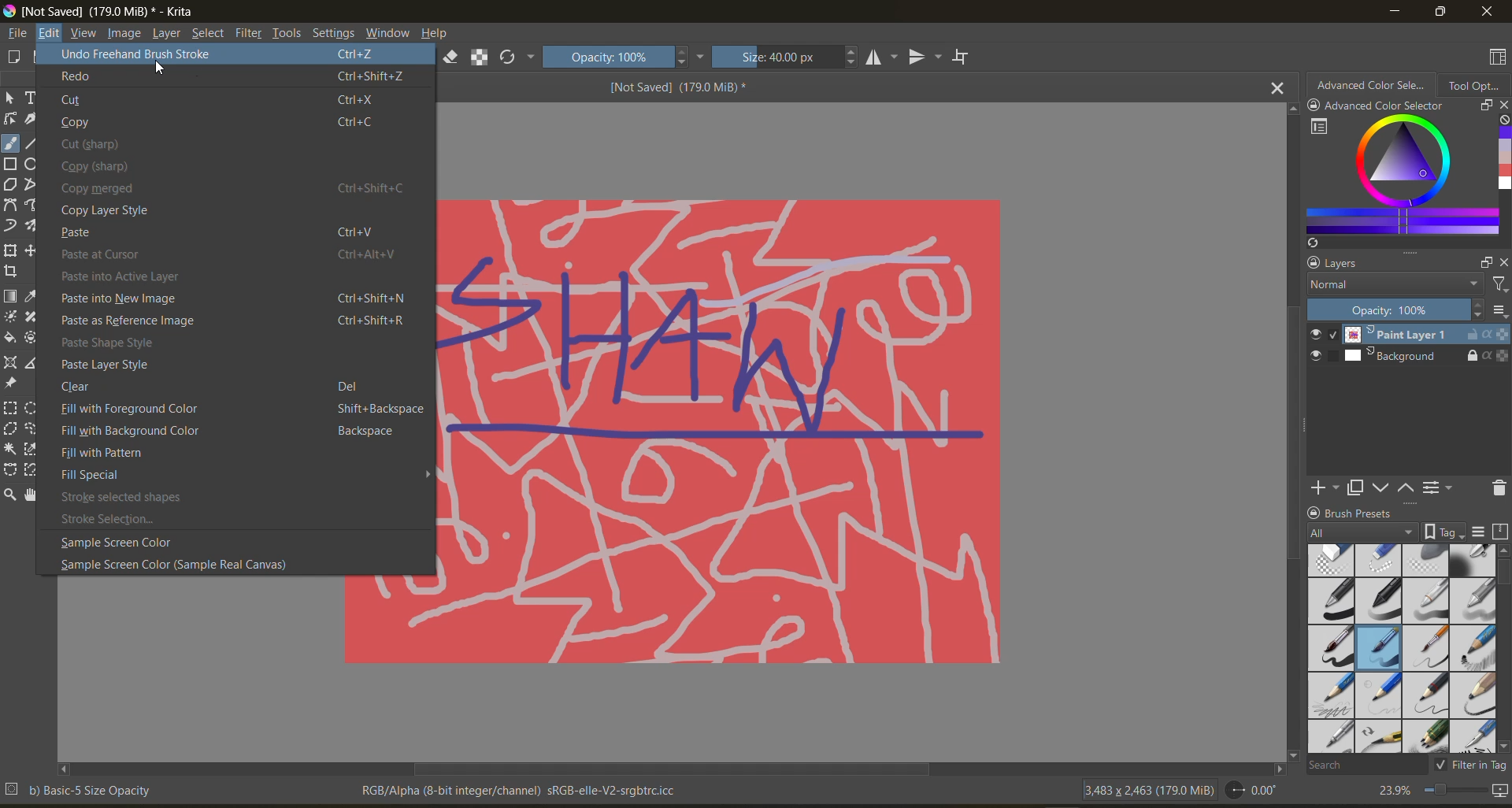 This screenshot has height=808, width=1512. Describe the element at coordinates (11, 362) in the screenshot. I see `Assistant tool` at that location.